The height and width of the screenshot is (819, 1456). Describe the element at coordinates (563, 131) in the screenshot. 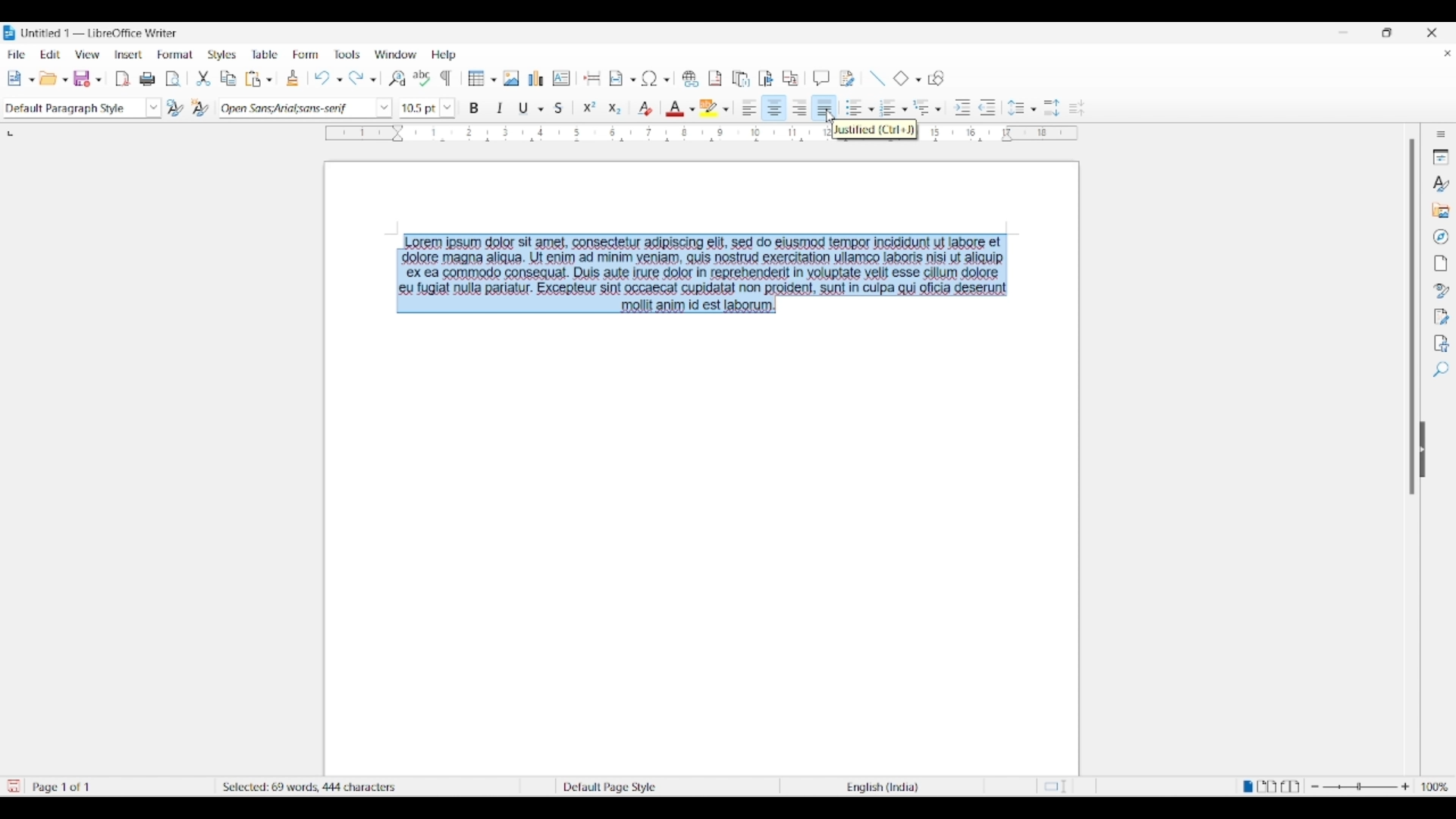

I see `Horizontal ruler` at that location.